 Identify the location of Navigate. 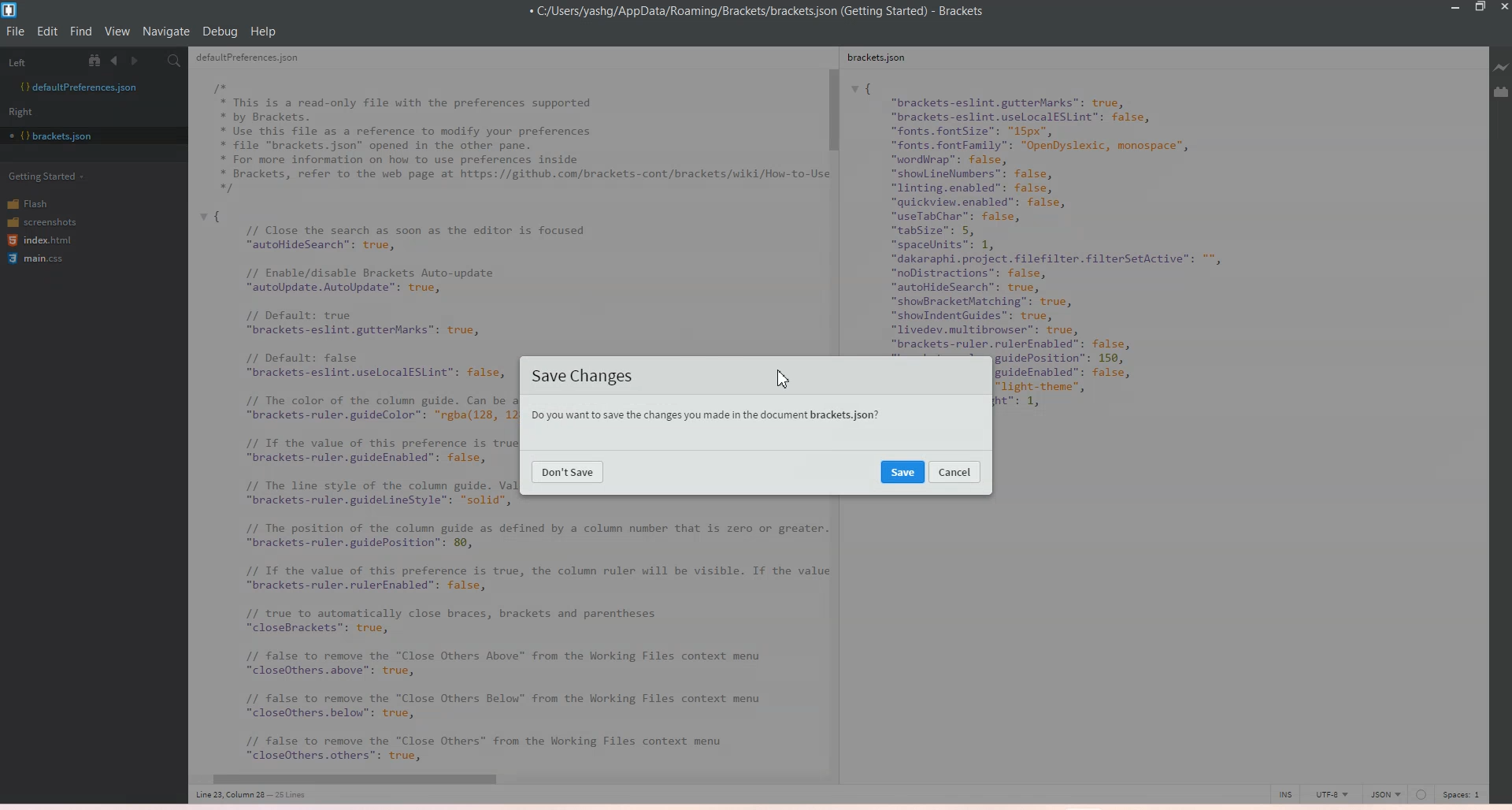
(166, 32).